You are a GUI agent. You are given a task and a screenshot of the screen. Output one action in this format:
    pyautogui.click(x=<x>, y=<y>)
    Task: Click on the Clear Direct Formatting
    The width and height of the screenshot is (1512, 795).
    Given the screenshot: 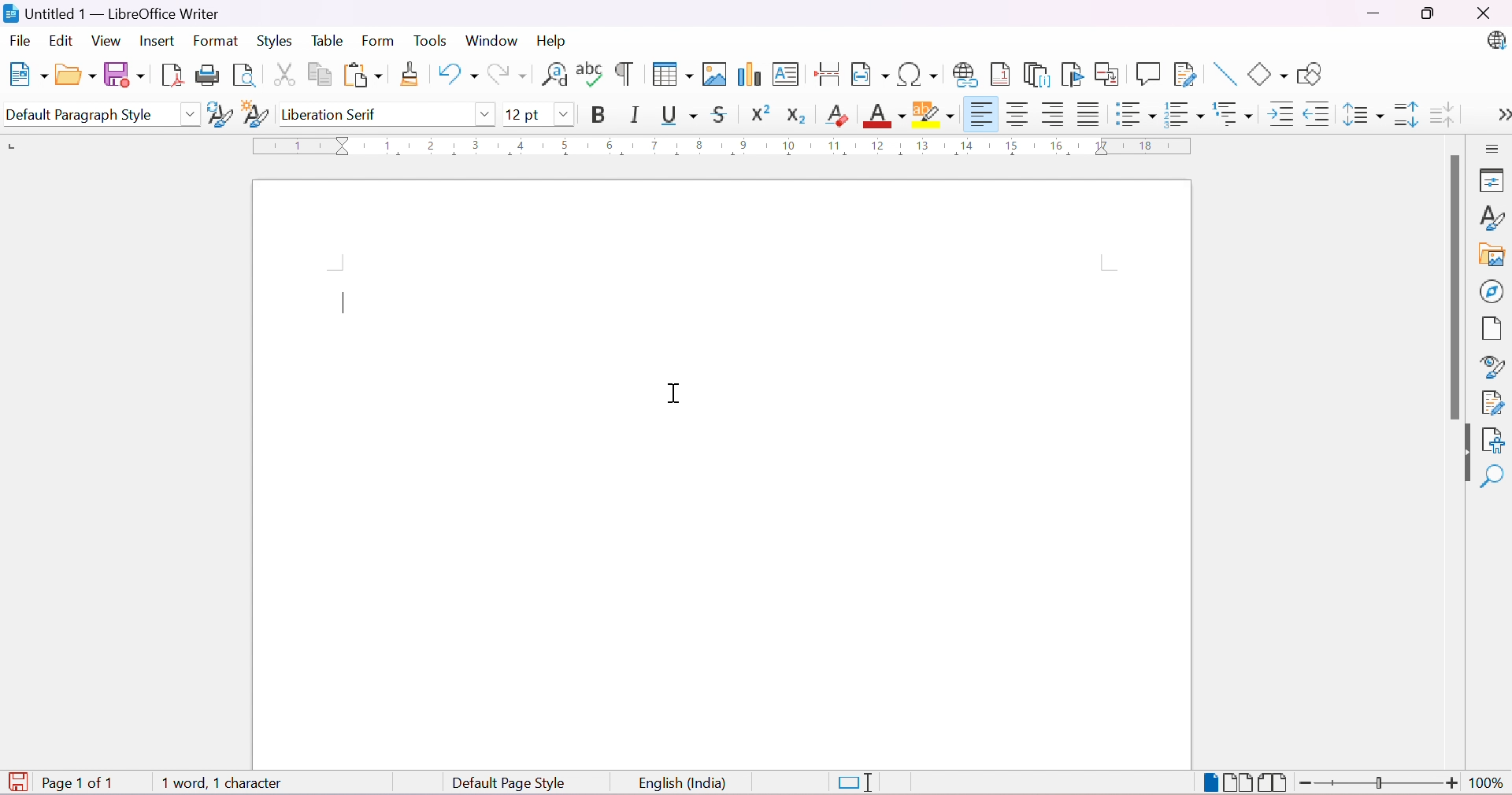 What is the action you would take?
    pyautogui.click(x=836, y=114)
    